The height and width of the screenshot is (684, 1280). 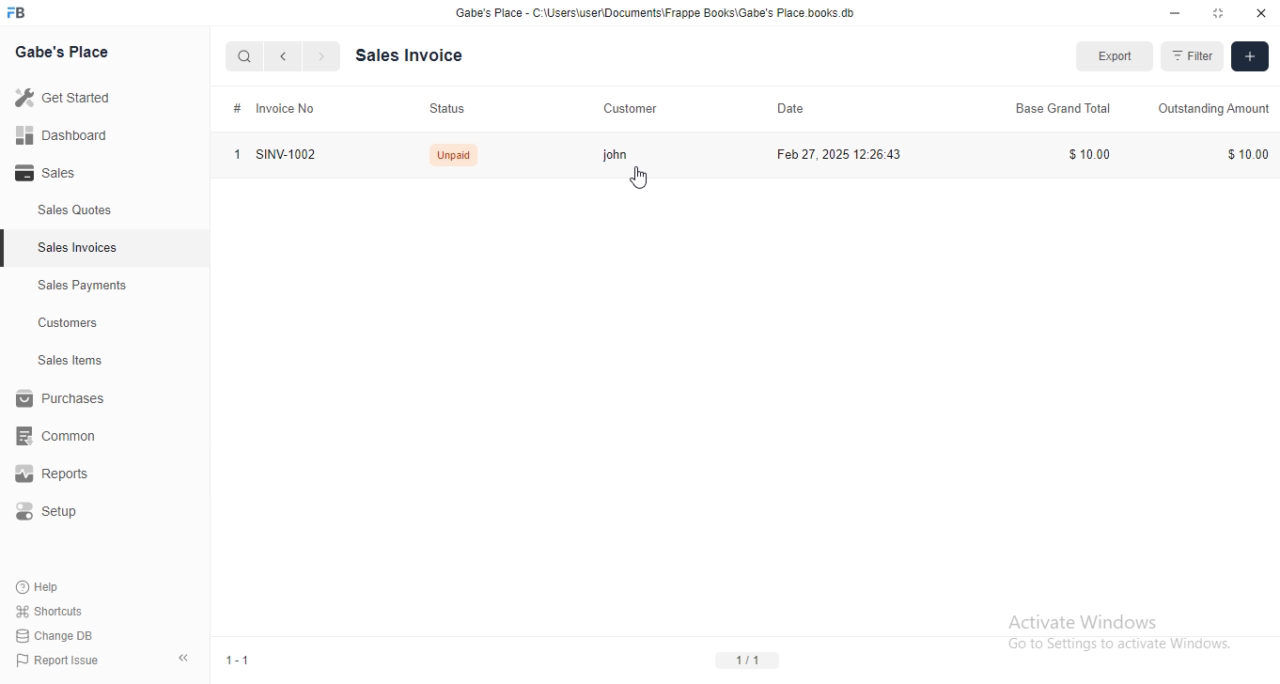 I want to click on #, so click(x=235, y=108).